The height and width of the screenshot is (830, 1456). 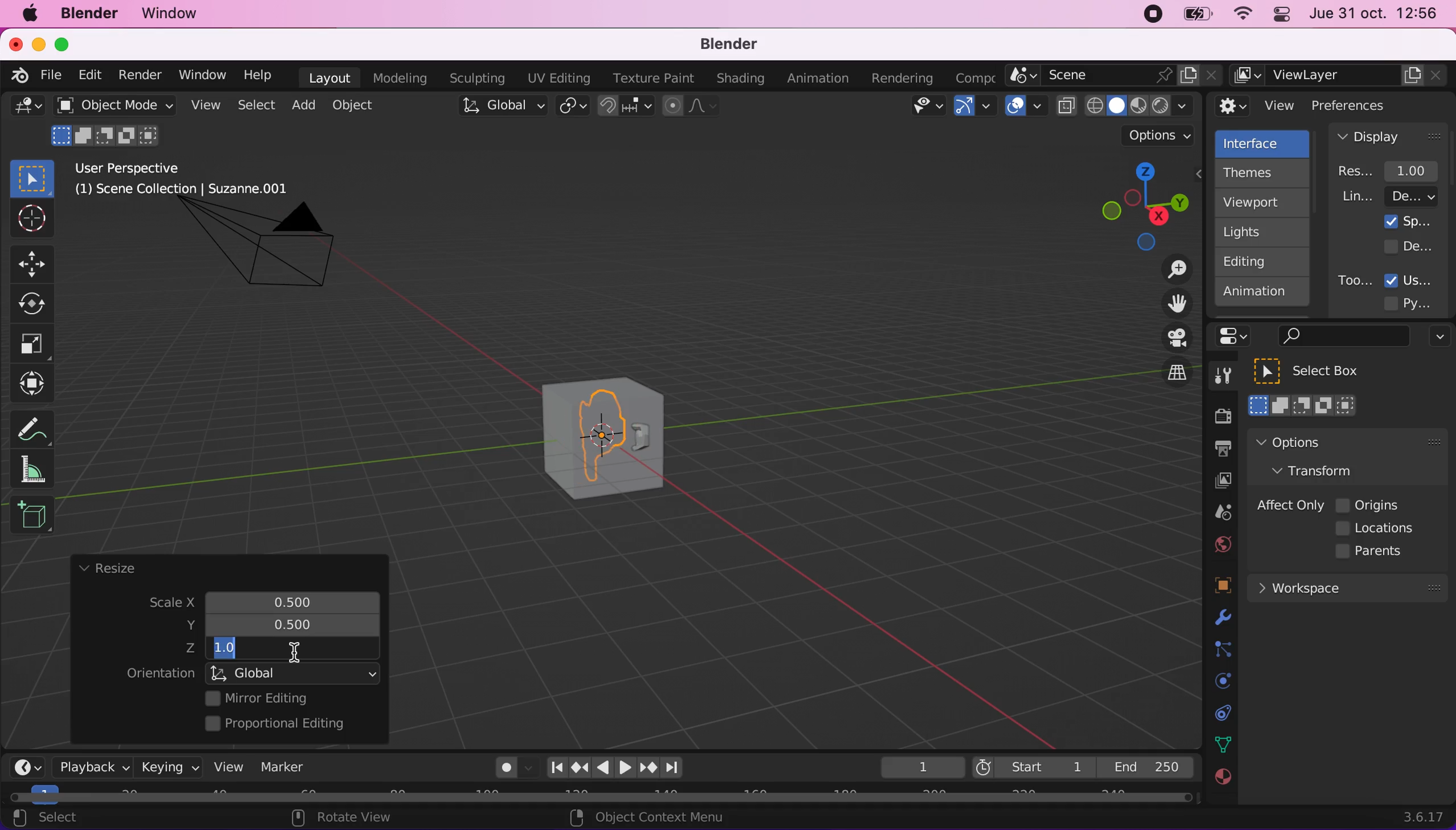 I want to click on select box, so click(x=1321, y=371).